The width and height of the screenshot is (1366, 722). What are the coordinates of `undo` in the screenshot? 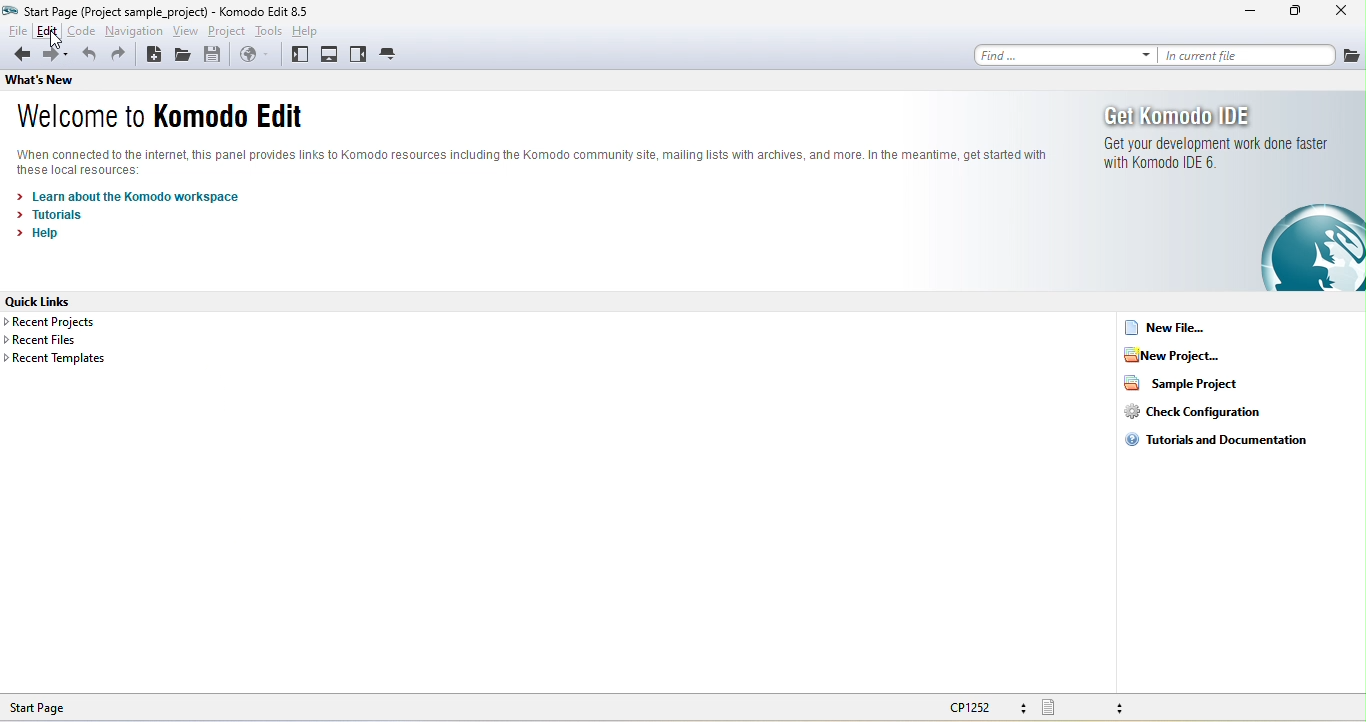 It's located at (88, 54).